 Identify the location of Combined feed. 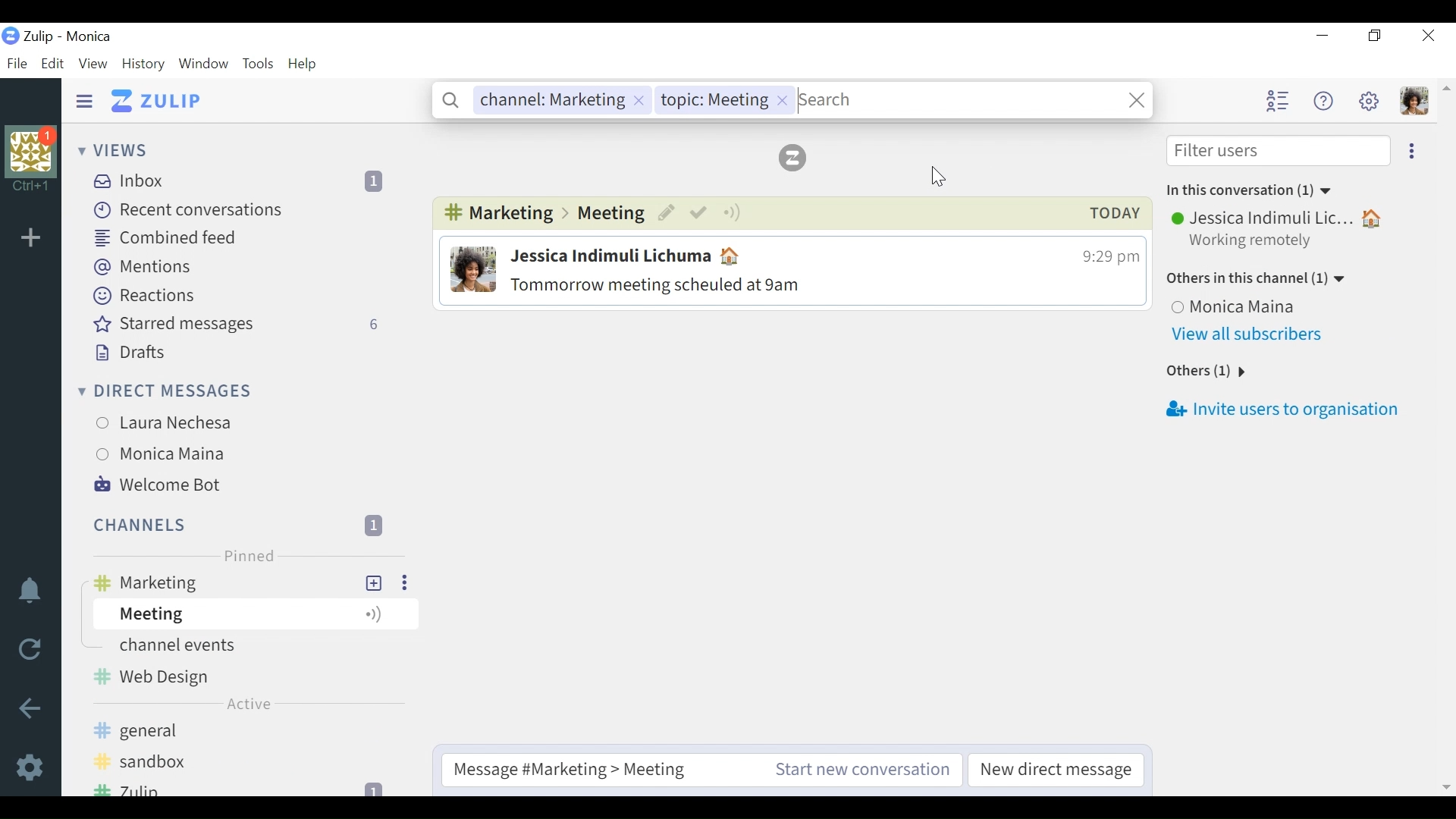
(169, 238).